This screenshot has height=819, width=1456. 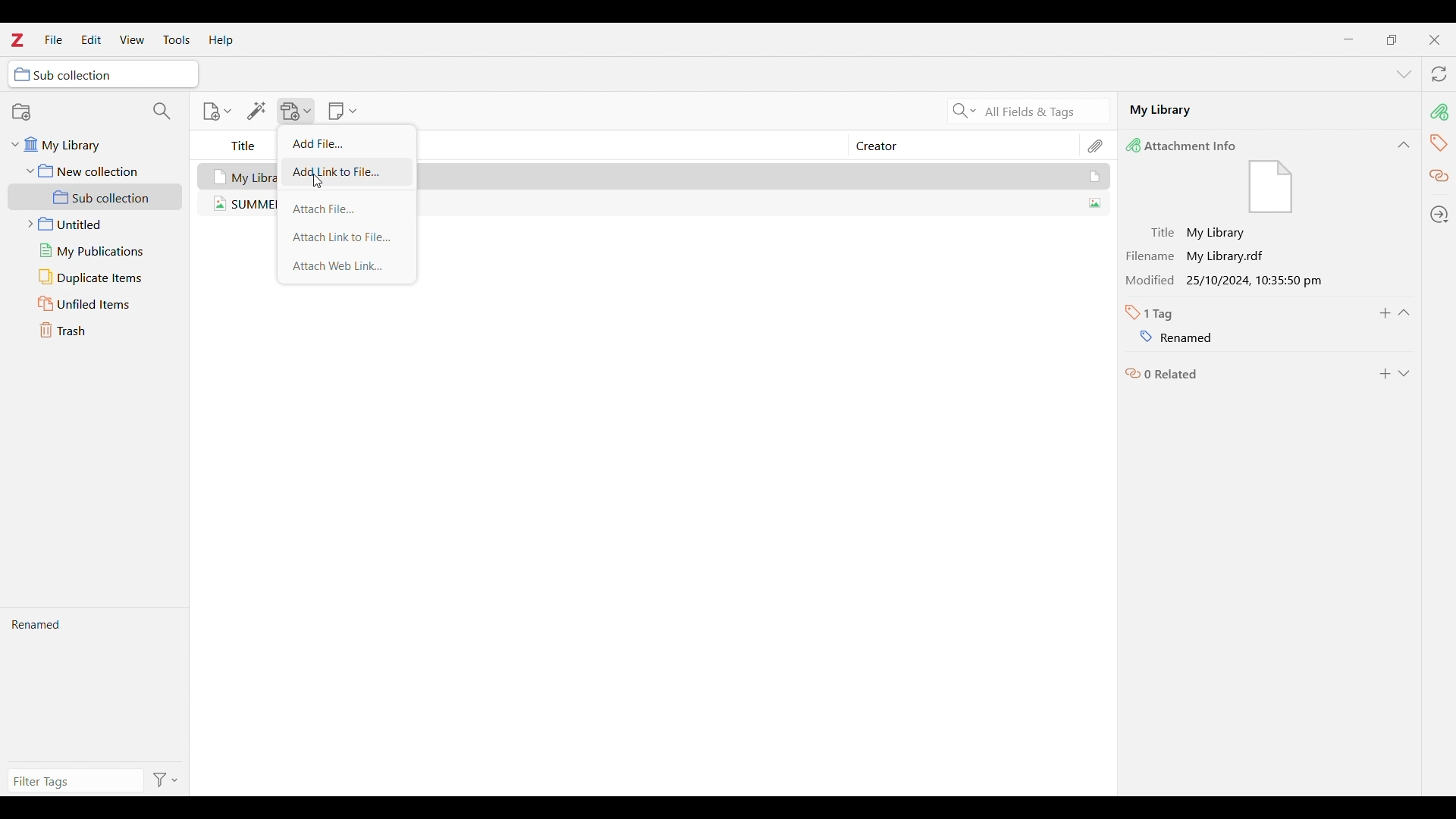 What do you see at coordinates (17, 39) in the screenshot?
I see `Software logo` at bounding box center [17, 39].